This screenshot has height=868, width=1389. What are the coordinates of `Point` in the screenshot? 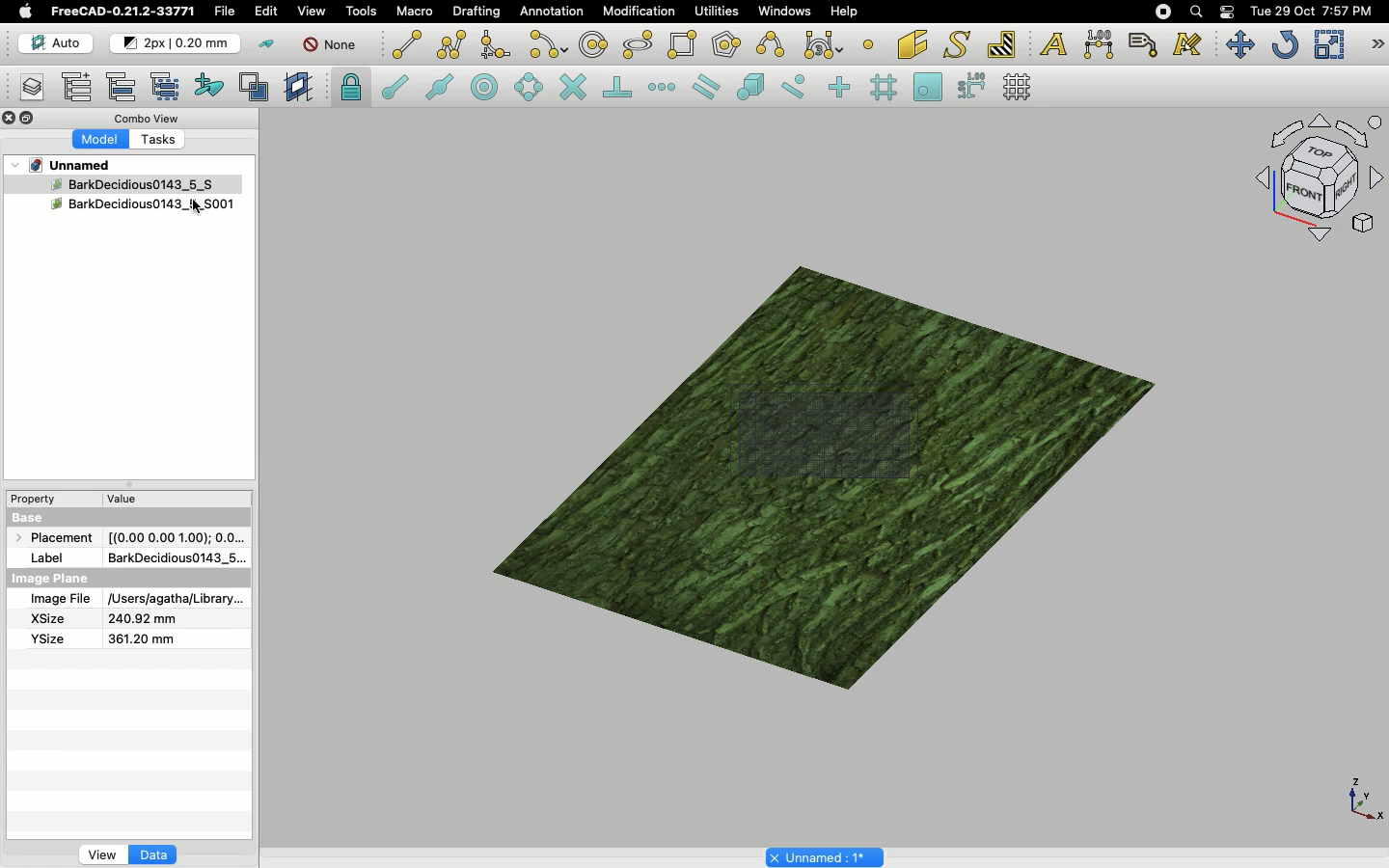 It's located at (868, 42).